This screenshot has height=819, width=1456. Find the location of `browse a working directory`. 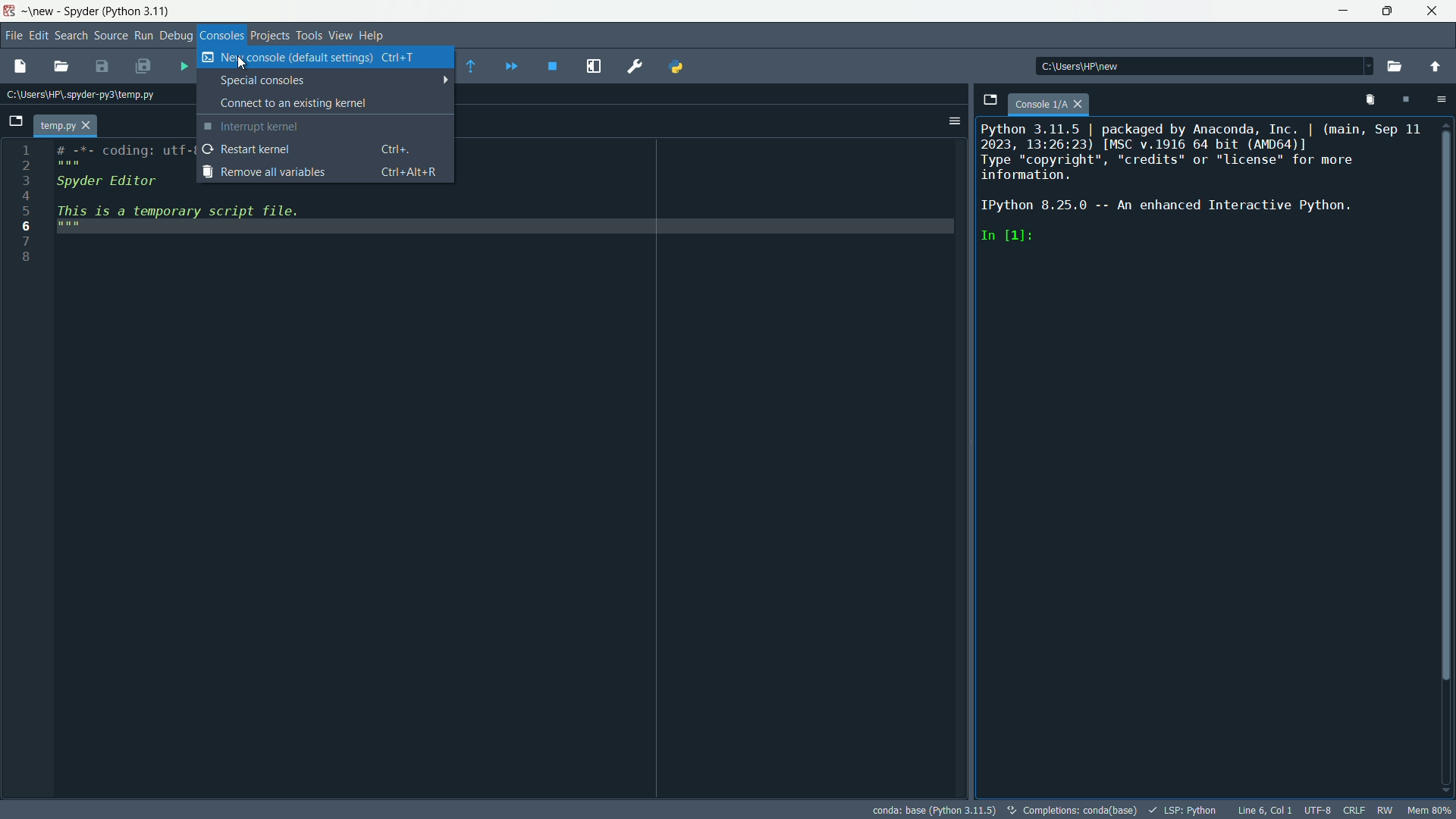

browse a working directory is located at coordinates (1395, 68).